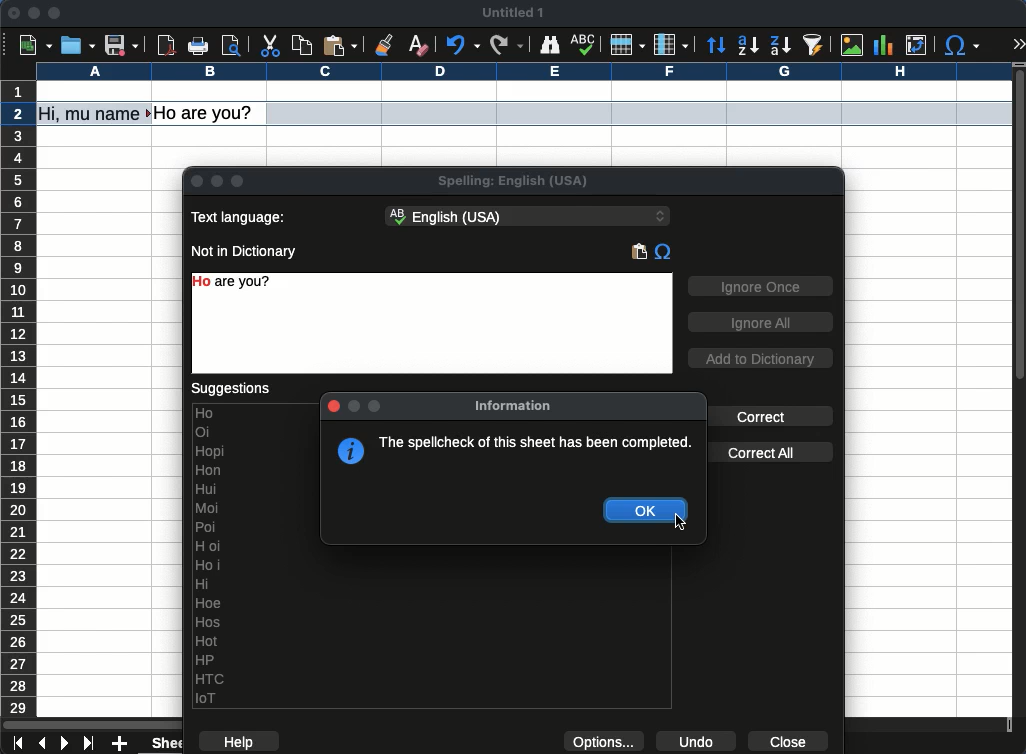  Describe the element at coordinates (512, 405) in the screenshot. I see `information` at that location.